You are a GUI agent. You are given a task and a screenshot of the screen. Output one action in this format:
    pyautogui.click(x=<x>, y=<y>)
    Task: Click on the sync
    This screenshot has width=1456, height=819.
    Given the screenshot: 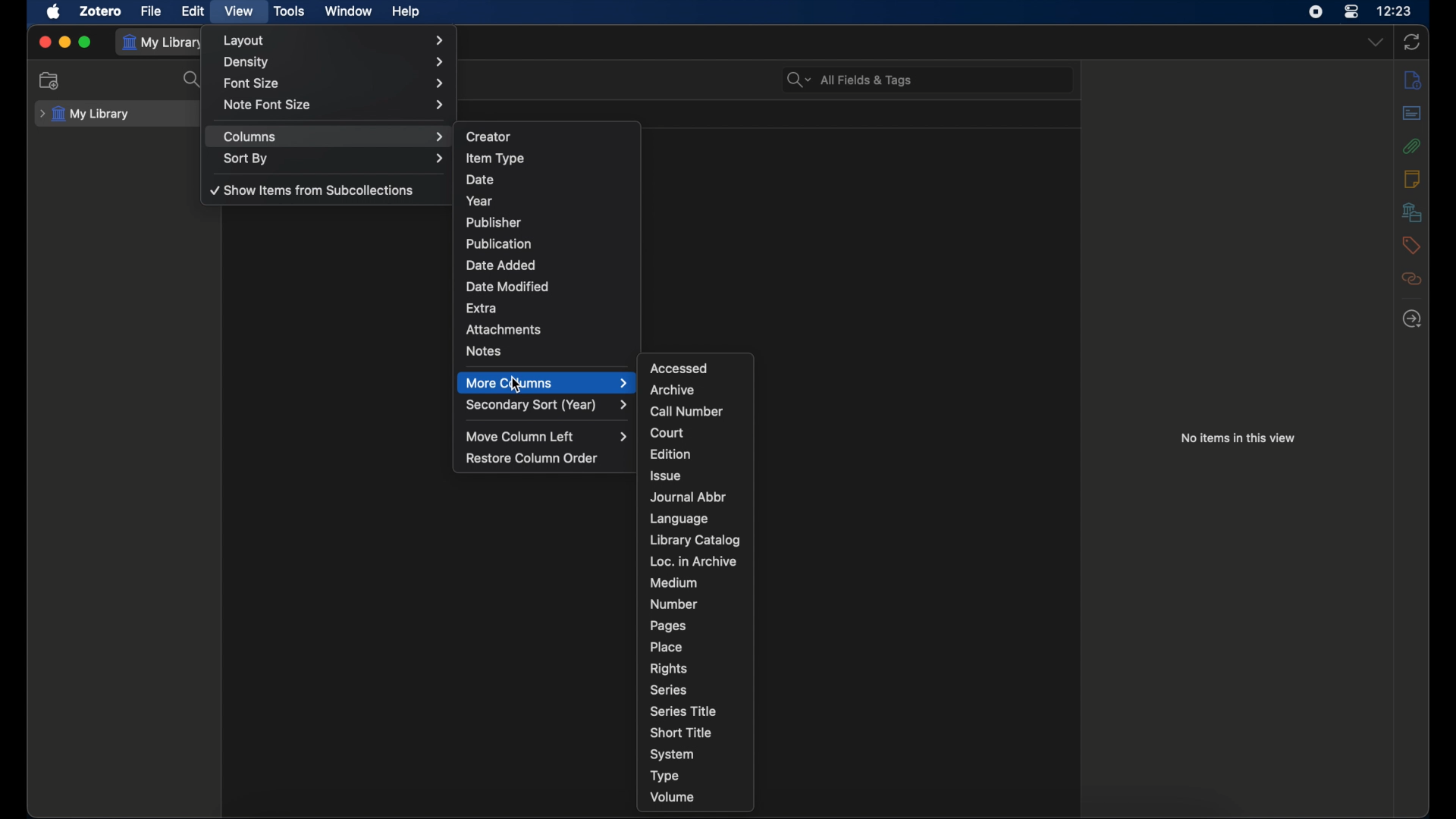 What is the action you would take?
    pyautogui.click(x=1411, y=42)
    